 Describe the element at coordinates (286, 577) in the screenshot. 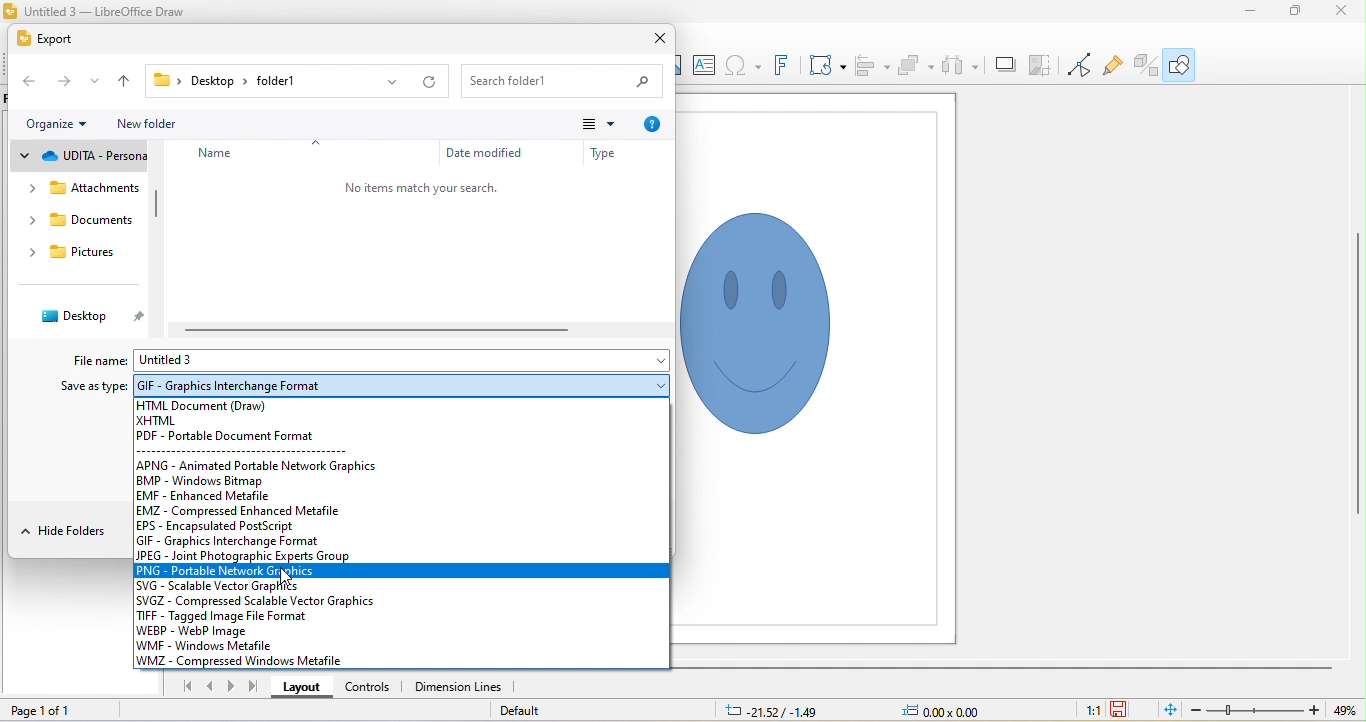

I see `cursor movement` at that location.